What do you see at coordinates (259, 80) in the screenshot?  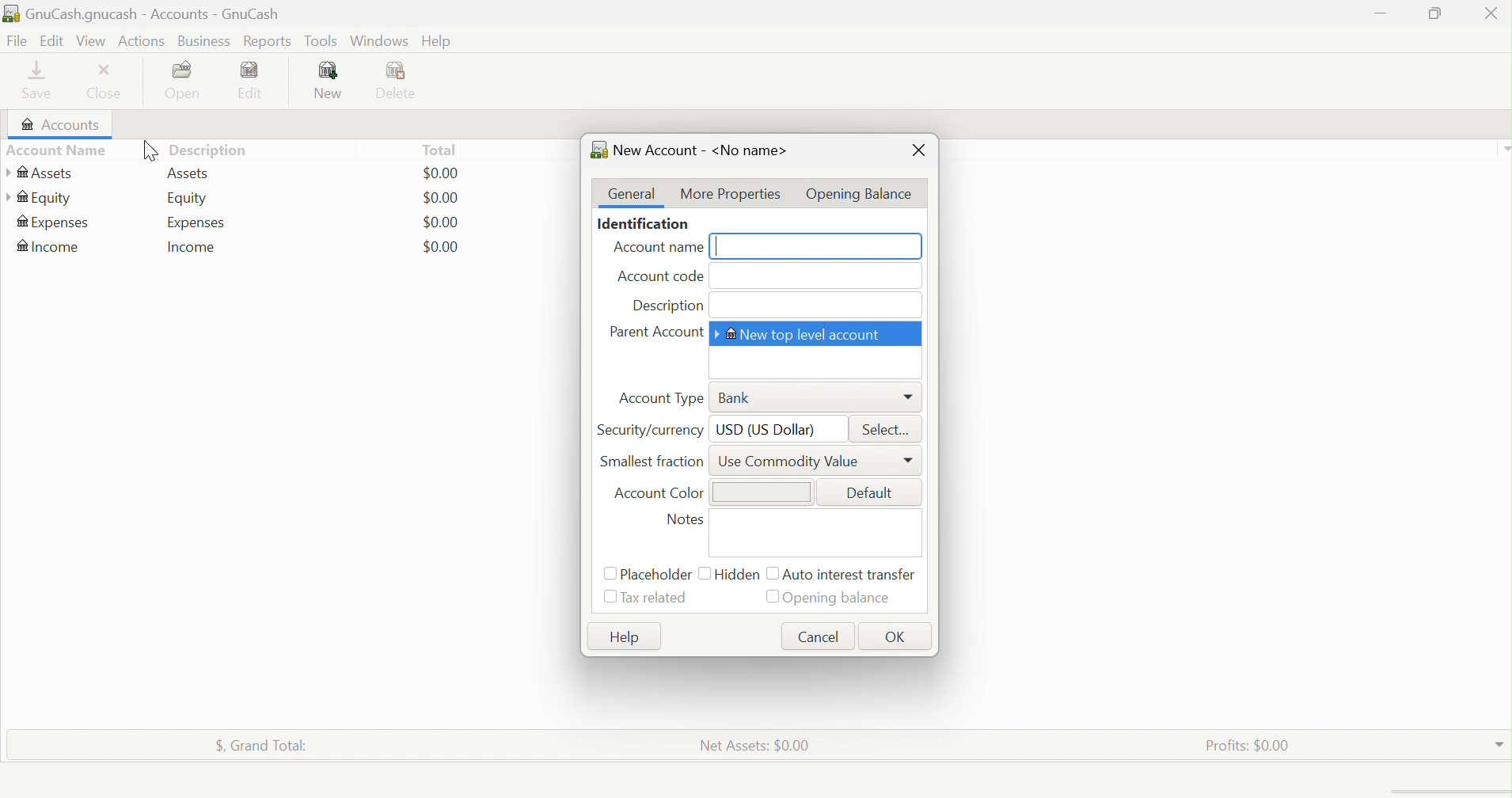 I see `Edit` at bounding box center [259, 80].